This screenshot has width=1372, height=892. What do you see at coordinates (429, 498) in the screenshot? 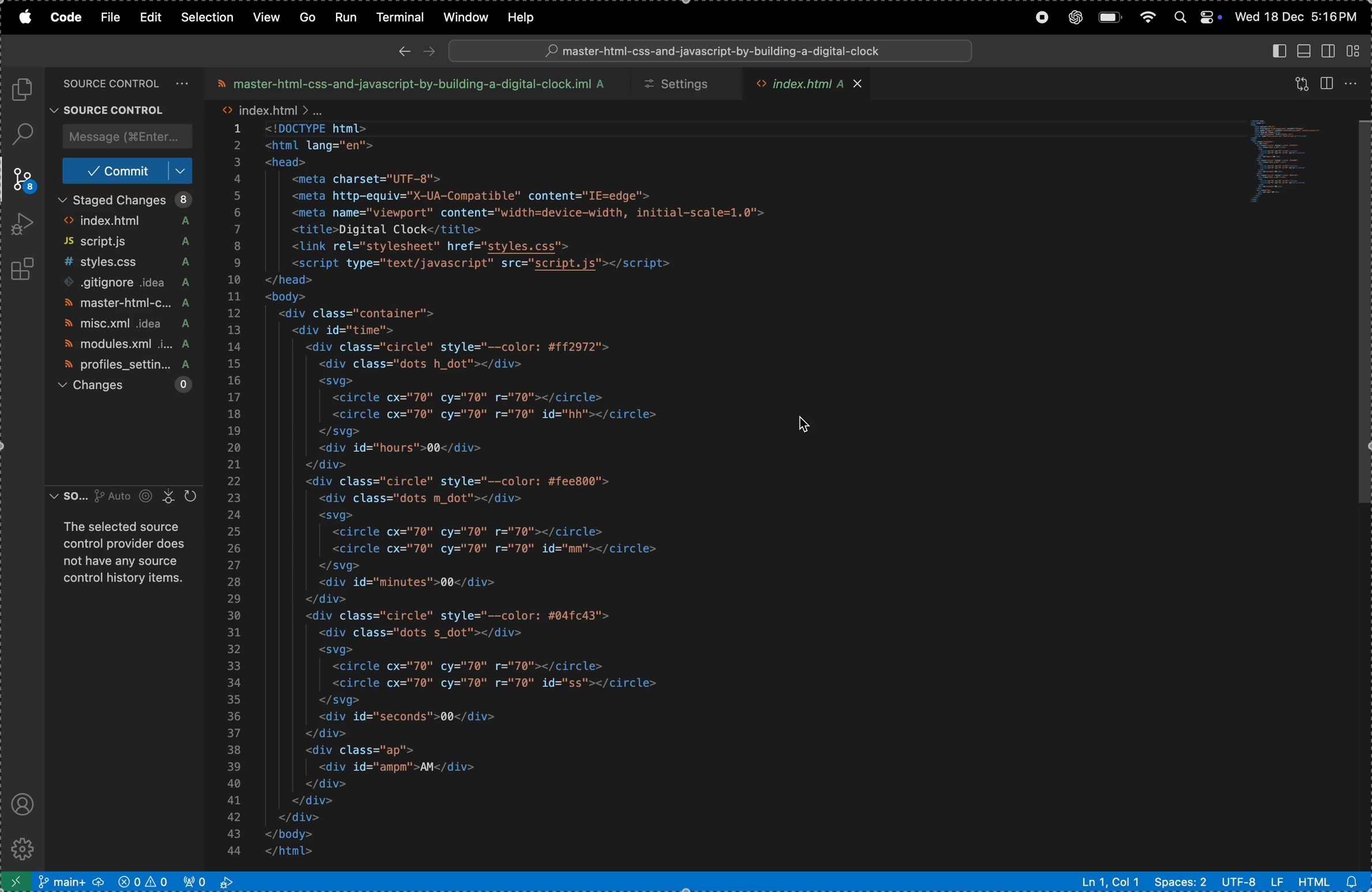
I see `<div class="dots m_dot"></div>` at bounding box center [429, 498].